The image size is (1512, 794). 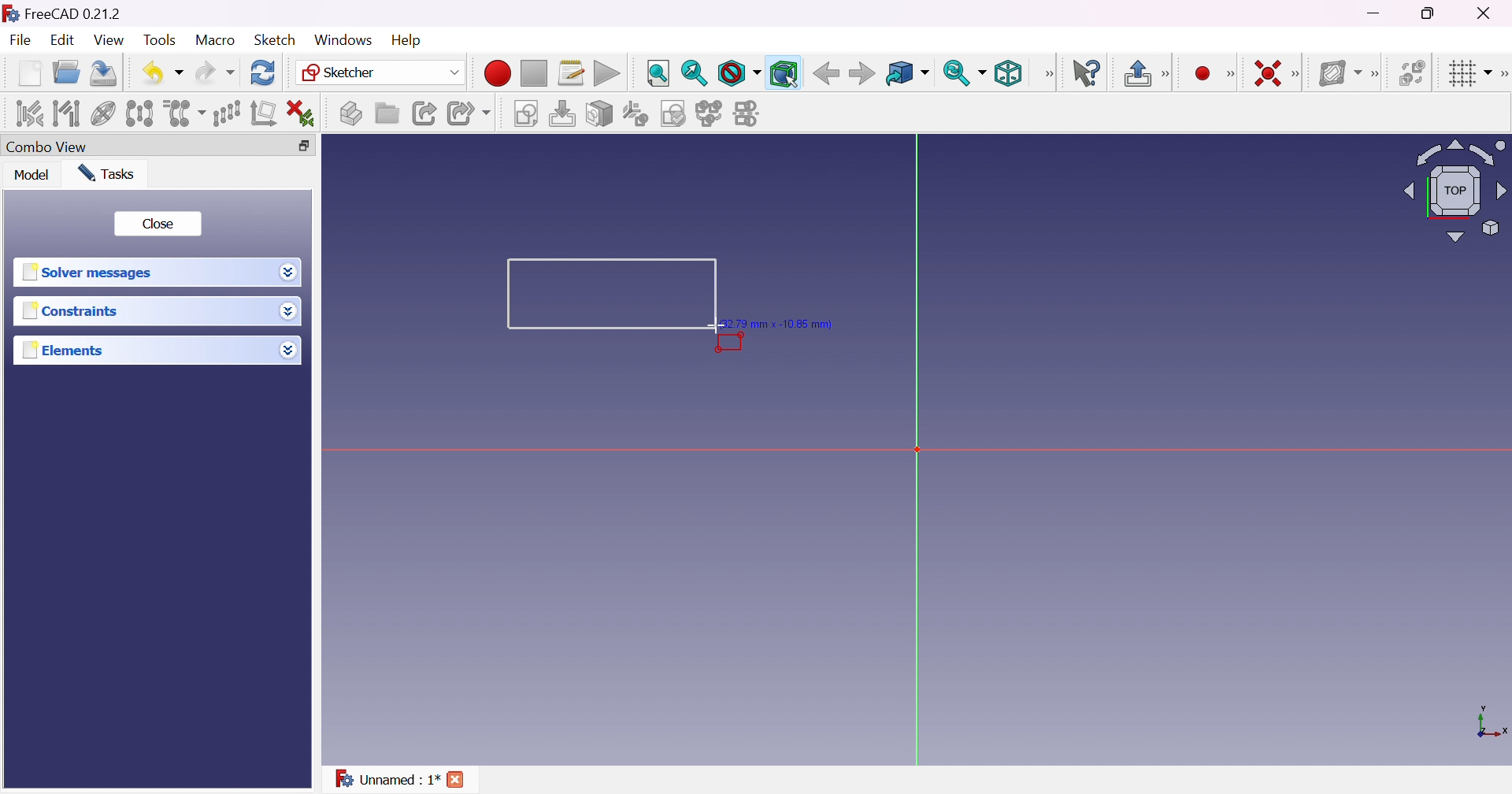 I want to click on [Sketcher edit tools], so click(x=1503, y=74).